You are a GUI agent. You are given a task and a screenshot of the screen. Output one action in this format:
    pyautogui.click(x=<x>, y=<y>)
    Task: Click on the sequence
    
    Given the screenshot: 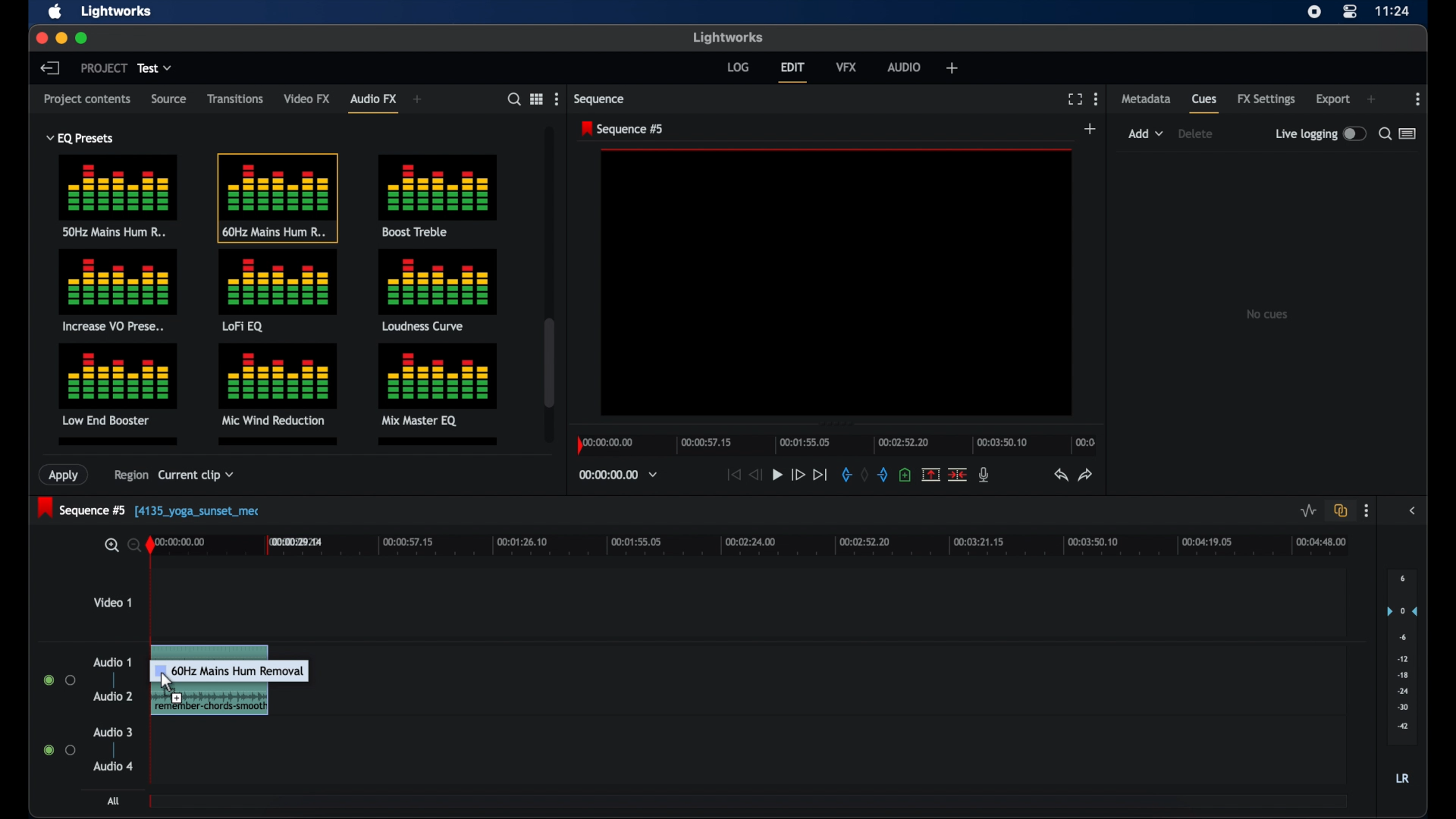 What is the action you would take?
    pyautogui.click(x=622, y=129)
    